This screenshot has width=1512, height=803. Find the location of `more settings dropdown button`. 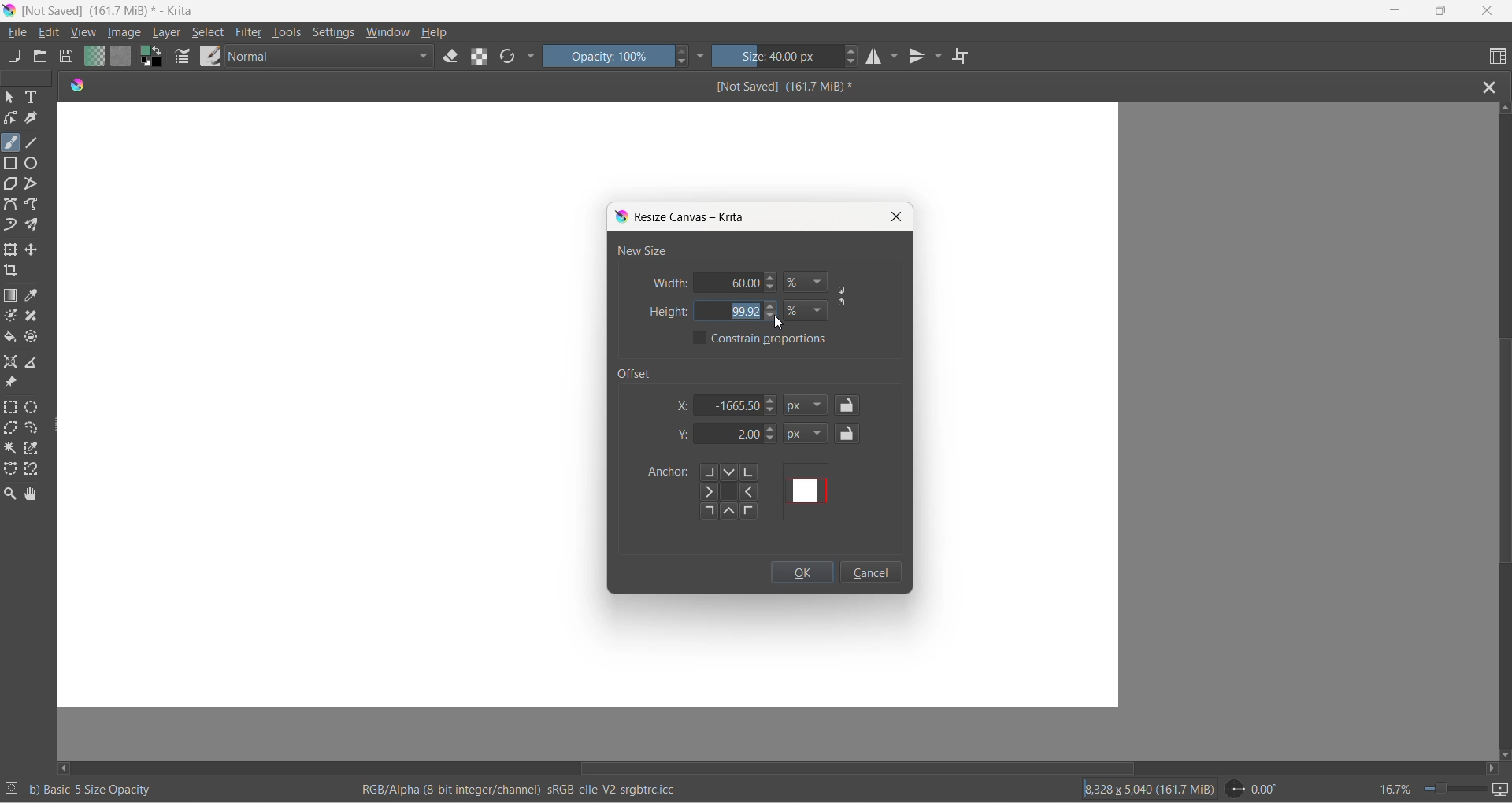

more settings dropdown button is located at coordinates (702, 56).